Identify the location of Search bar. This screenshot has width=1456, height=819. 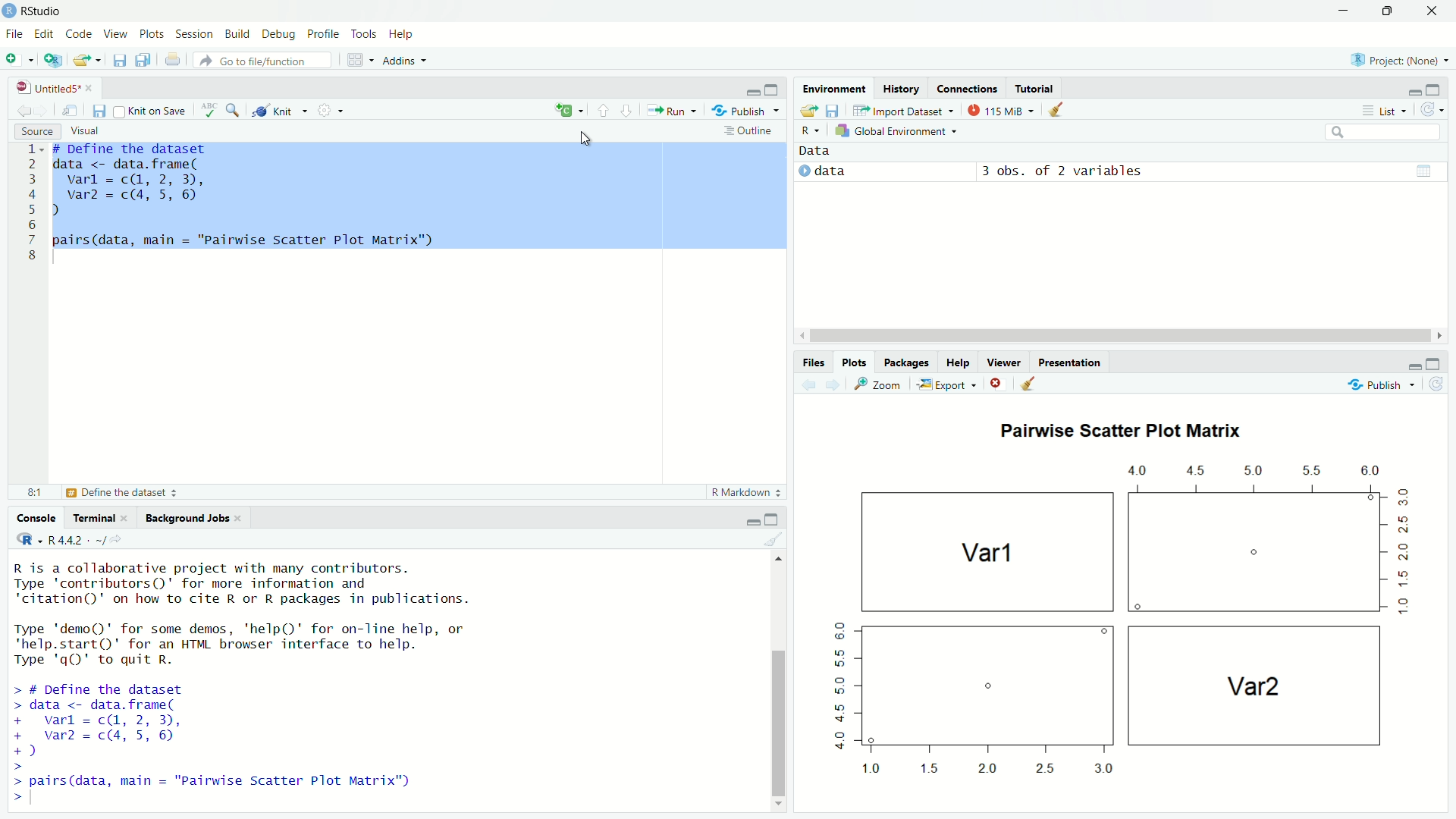
(1383, 133).